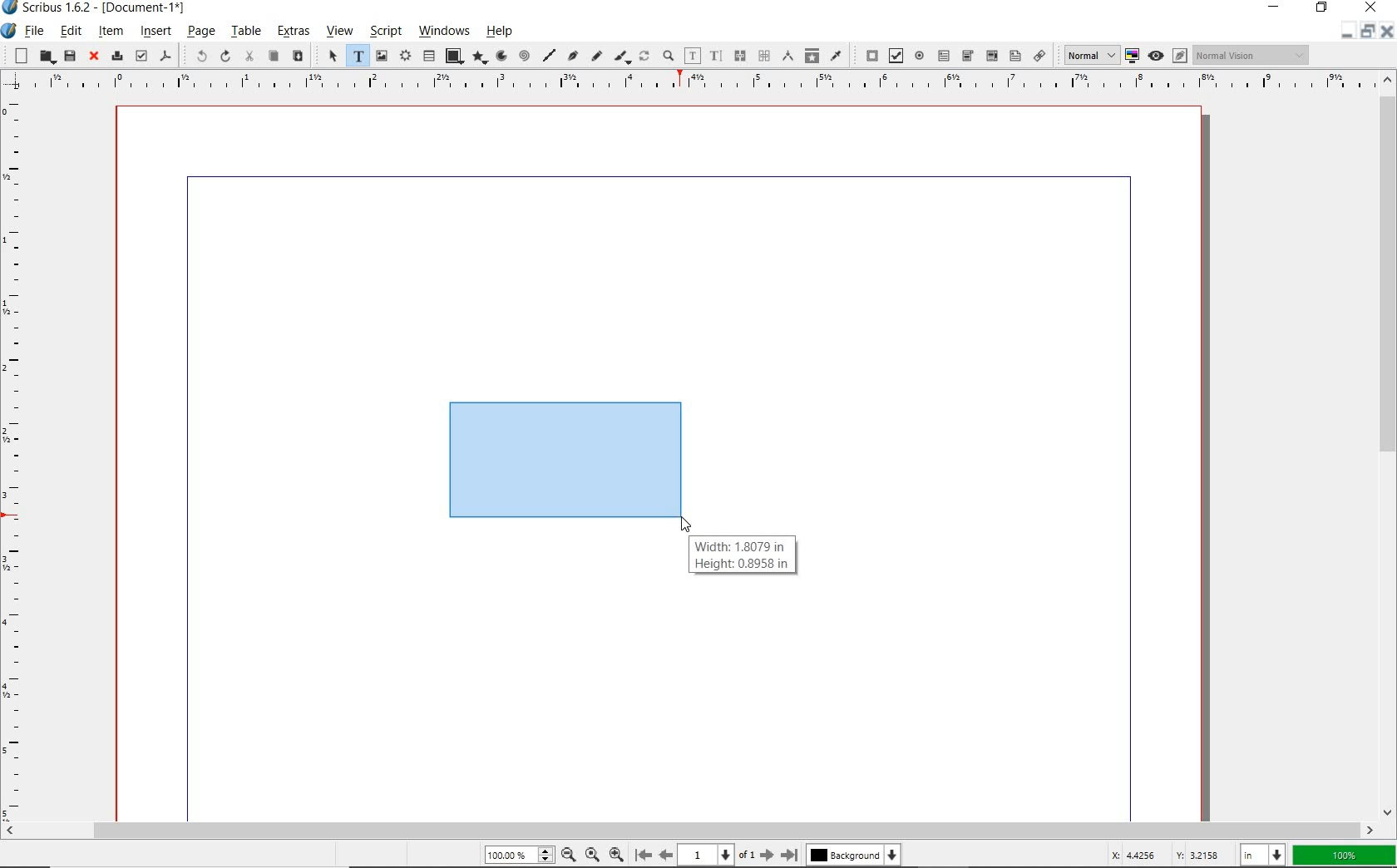 This screenshot has width=1397, height=868. What do you see at coordinates (741, 56) in the screenshot?
I see `link text frames` at bounding box center [741, 56].